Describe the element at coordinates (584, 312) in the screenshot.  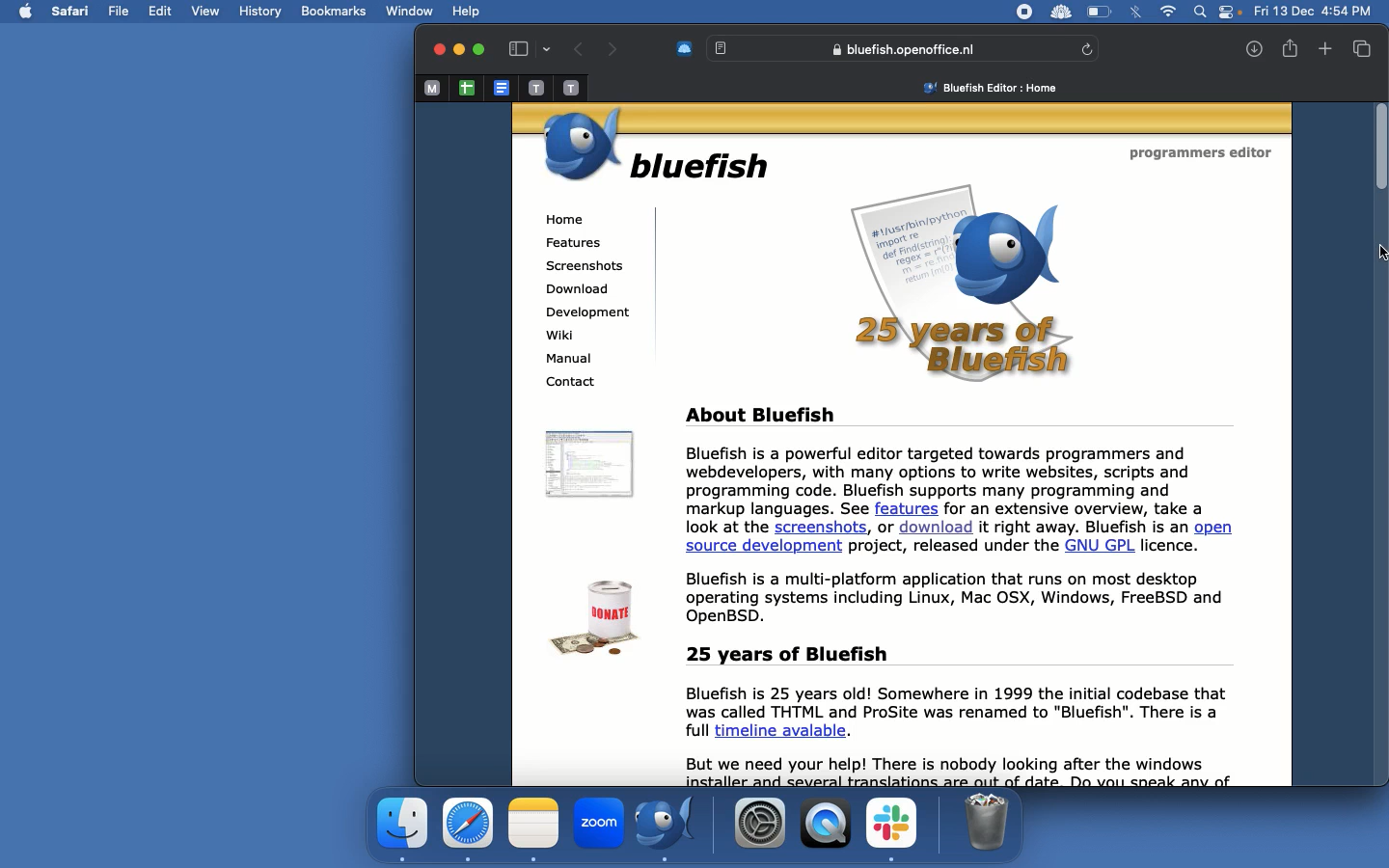
I see `Development` at that location.